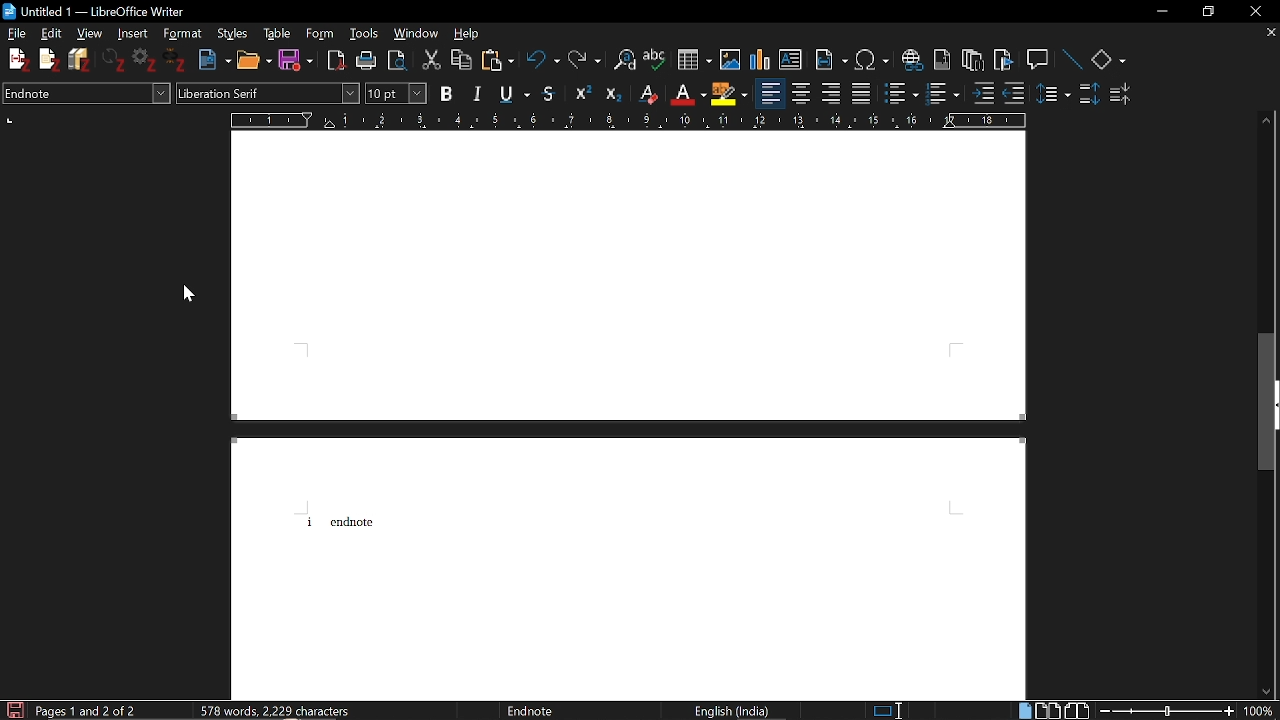 The width and height of the screenshot is (1280, 720). I want to click on endnote, so click(552, 711).